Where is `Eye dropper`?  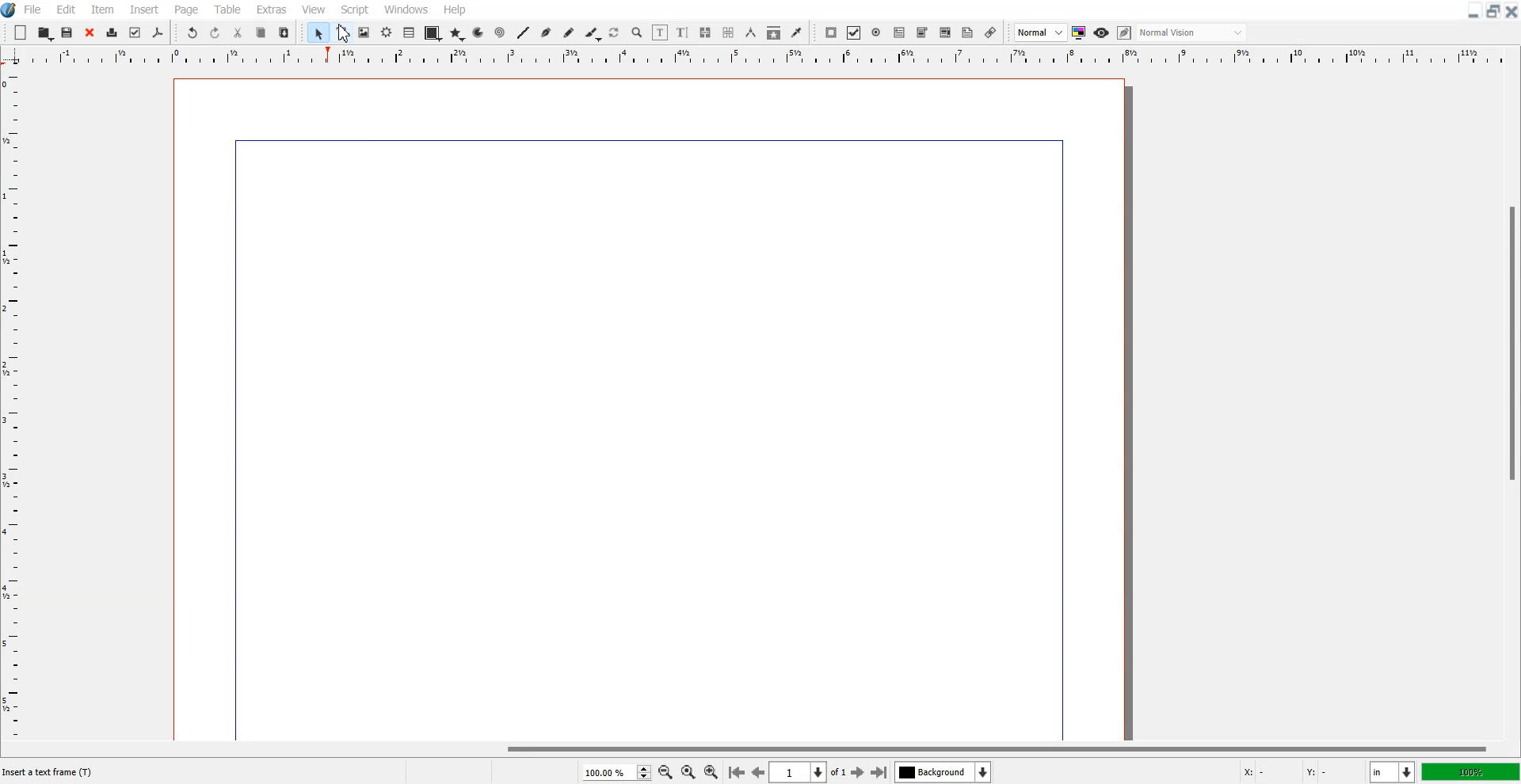 Eye dropper is located at coordinates (796, 32).